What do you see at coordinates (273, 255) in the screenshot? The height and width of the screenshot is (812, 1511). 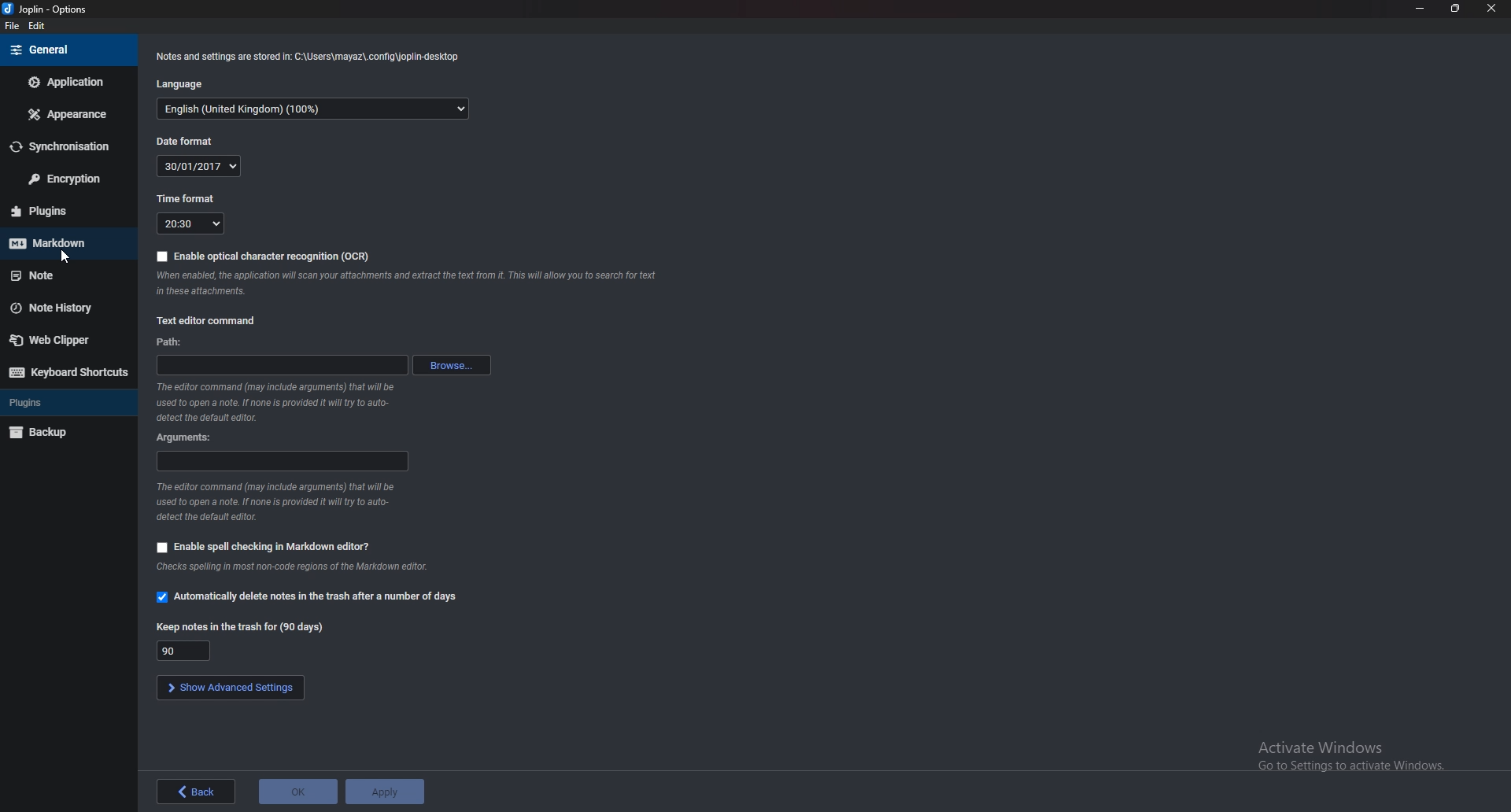 I see `Enable ocr` at bounding box center [273, 255].